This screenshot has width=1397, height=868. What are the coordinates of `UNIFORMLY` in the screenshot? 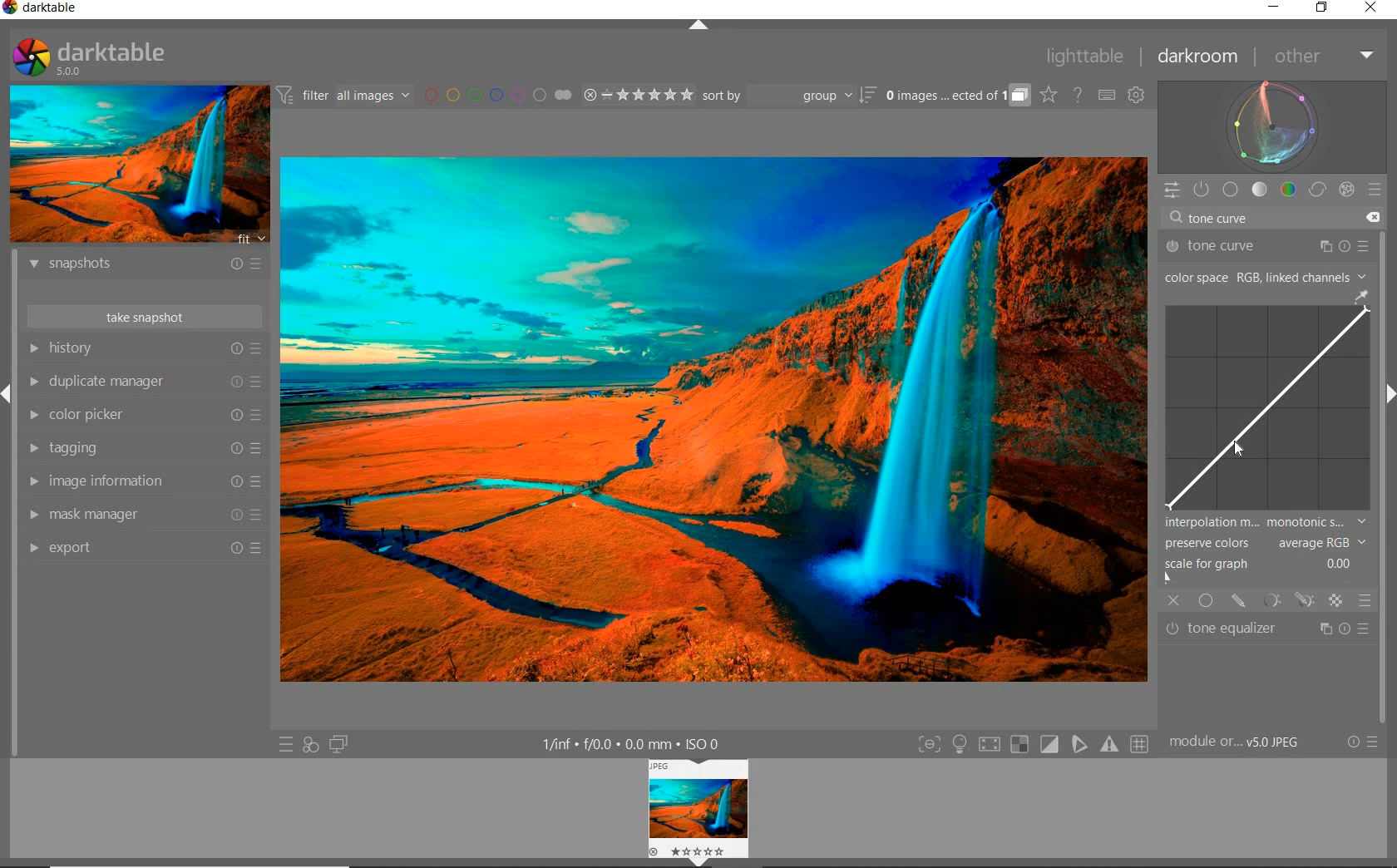 It's located at (1206, 601).